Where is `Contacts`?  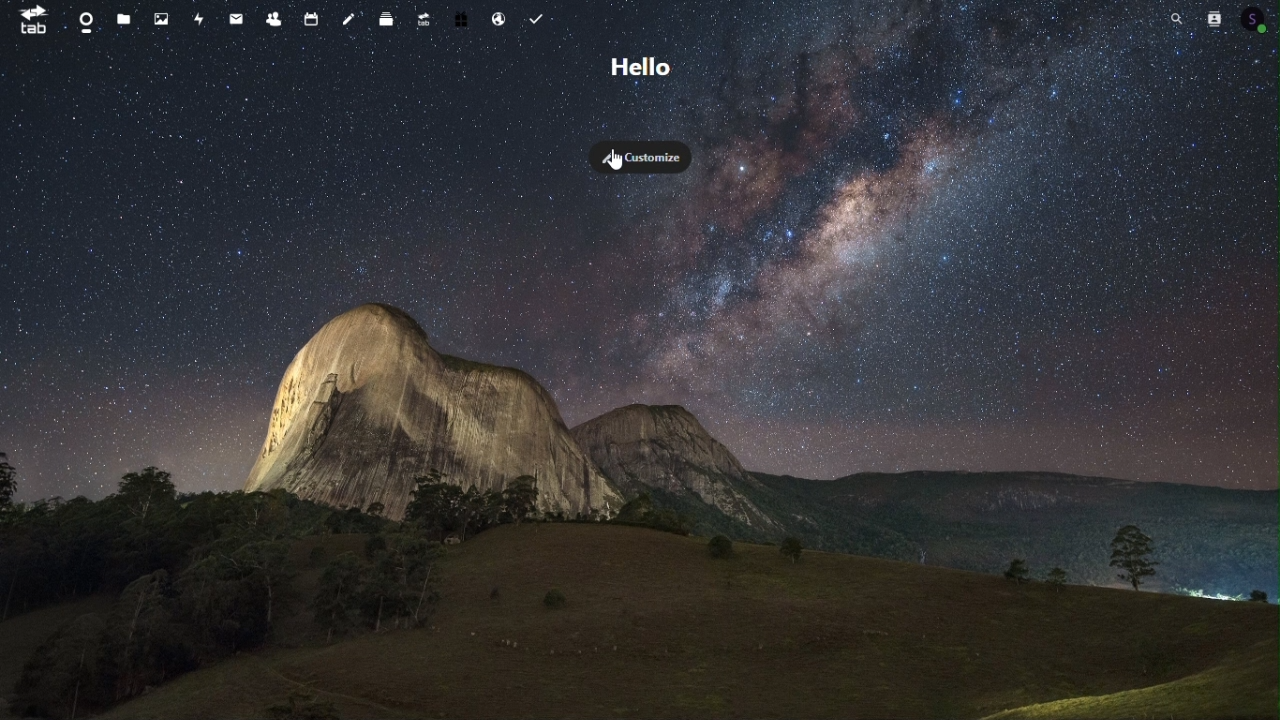 Contacts is located at coordinates (272, 18).